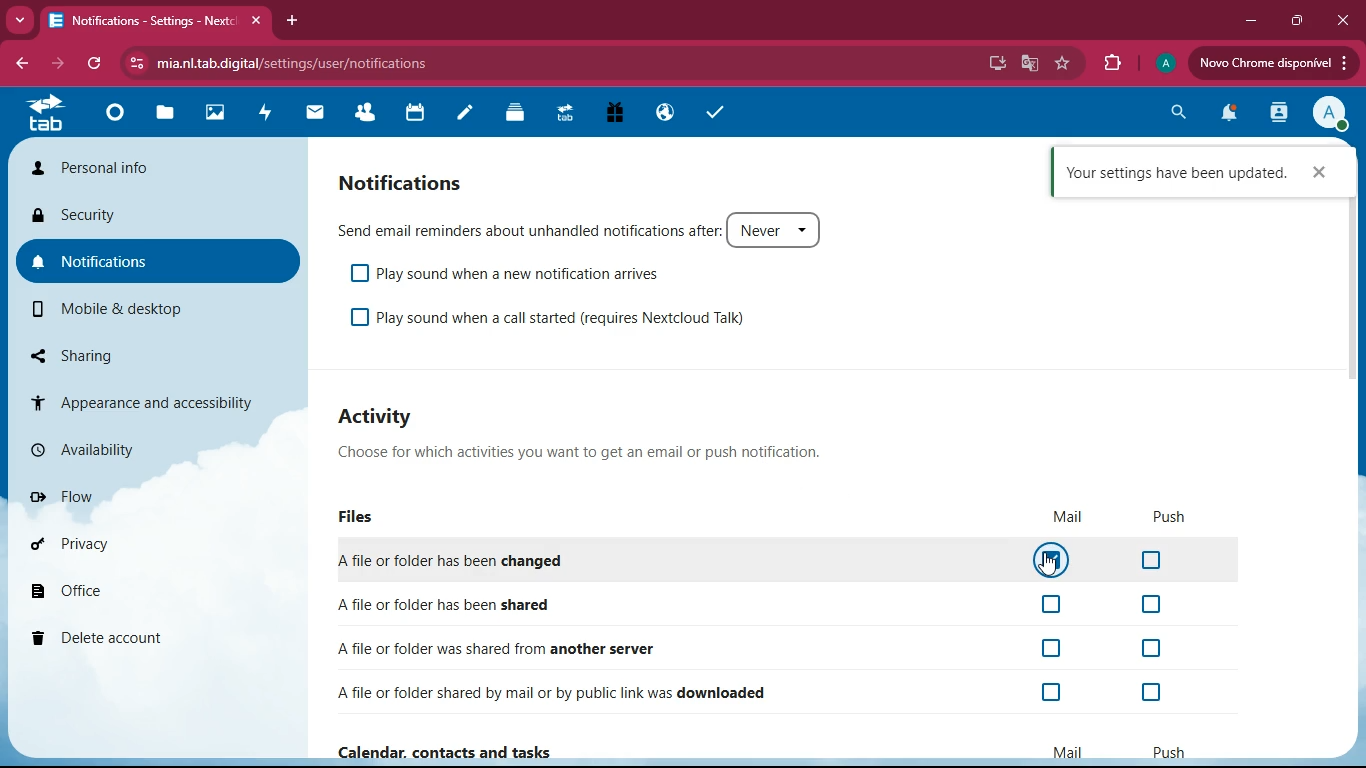  What do you see at coordinates (1055, 650) in the screenshot?
I see `off` at bounding box center [1055, 650].